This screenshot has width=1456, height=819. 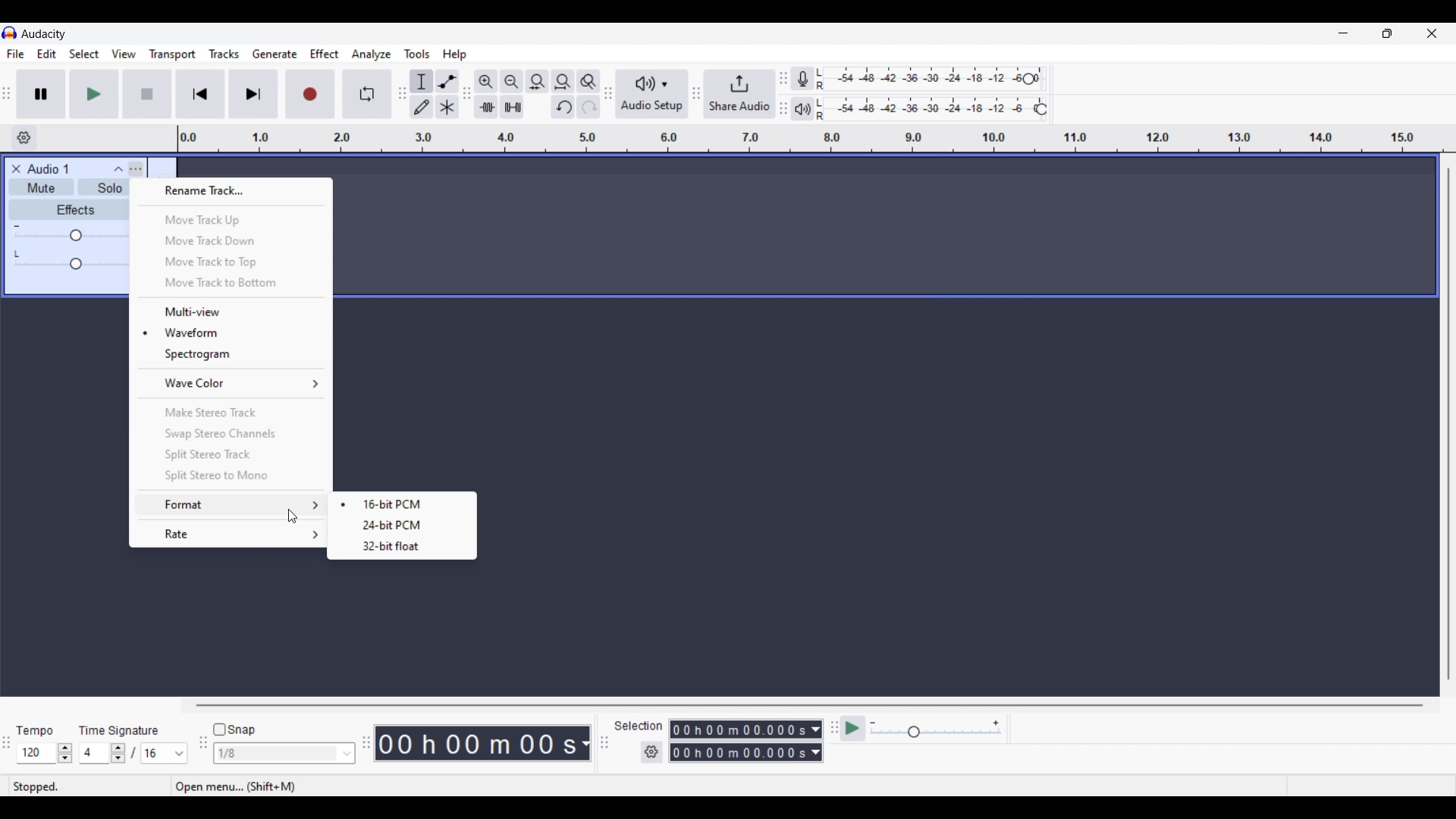 I want to click on Status of recording, so click(x=89, y=786).